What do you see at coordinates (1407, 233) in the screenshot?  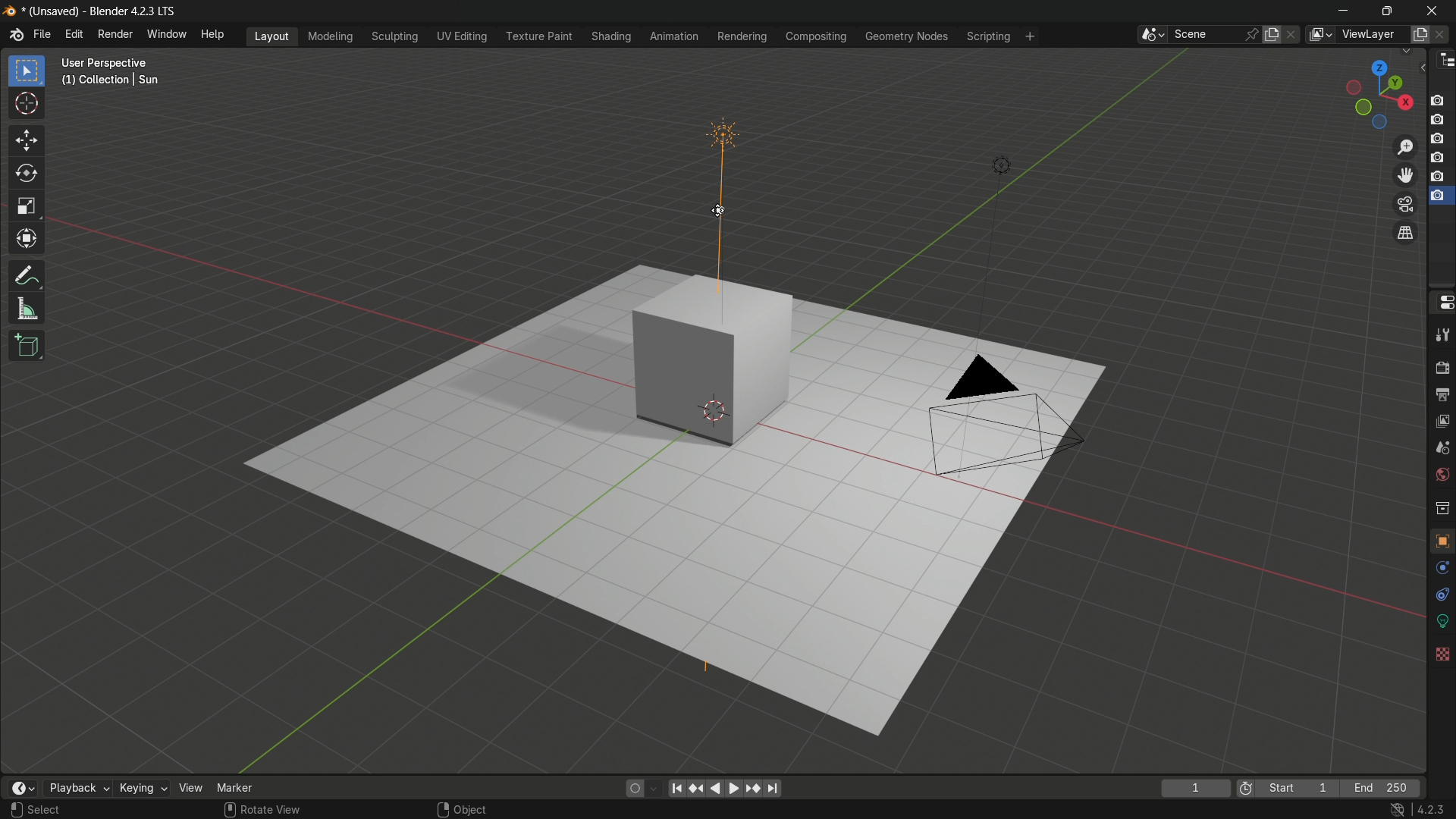 I see `switch current view` at bounding box center [1407, 233].